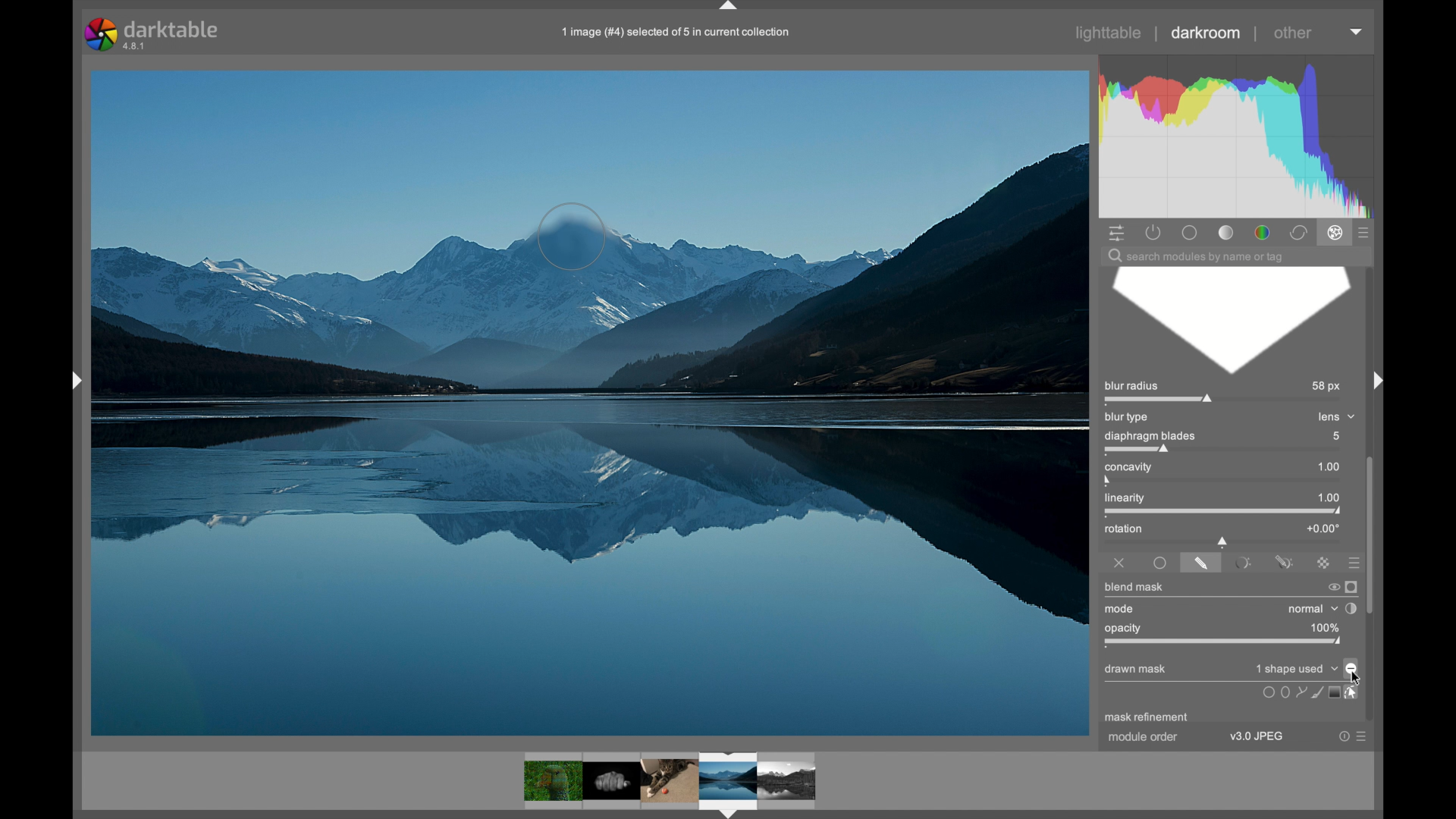  Describe the element at coordinates (1207, 33) in the screenshot. I see `darkroom` at that location.